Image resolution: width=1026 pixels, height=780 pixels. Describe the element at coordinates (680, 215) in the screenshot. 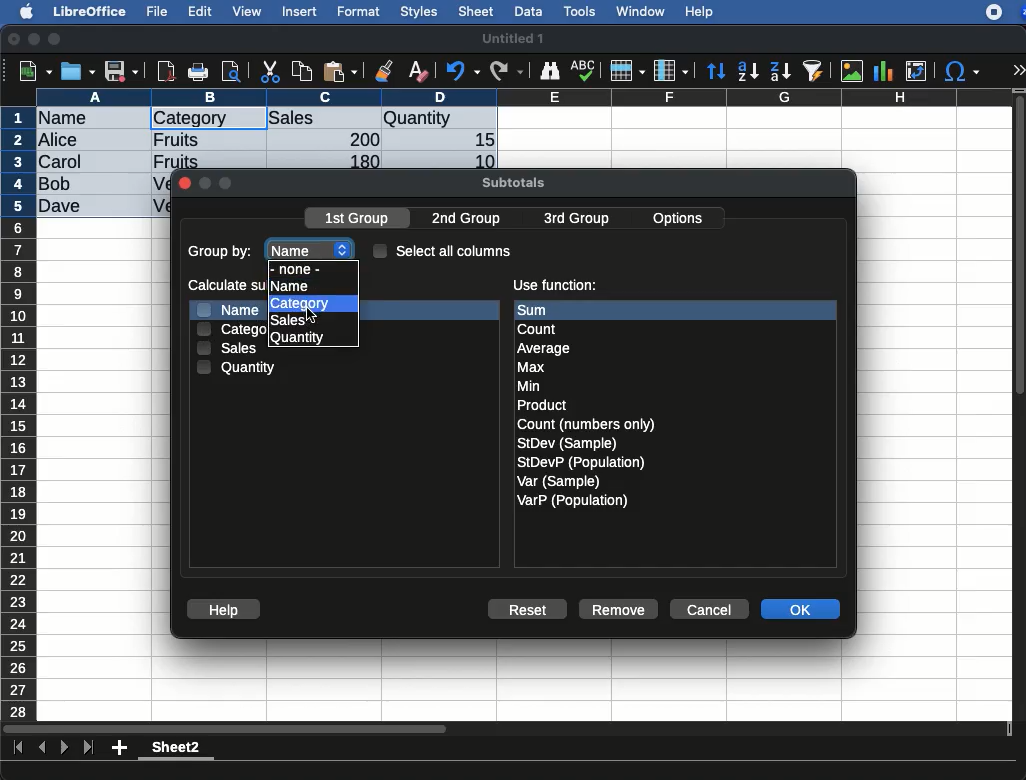

I see `options ` at that location.